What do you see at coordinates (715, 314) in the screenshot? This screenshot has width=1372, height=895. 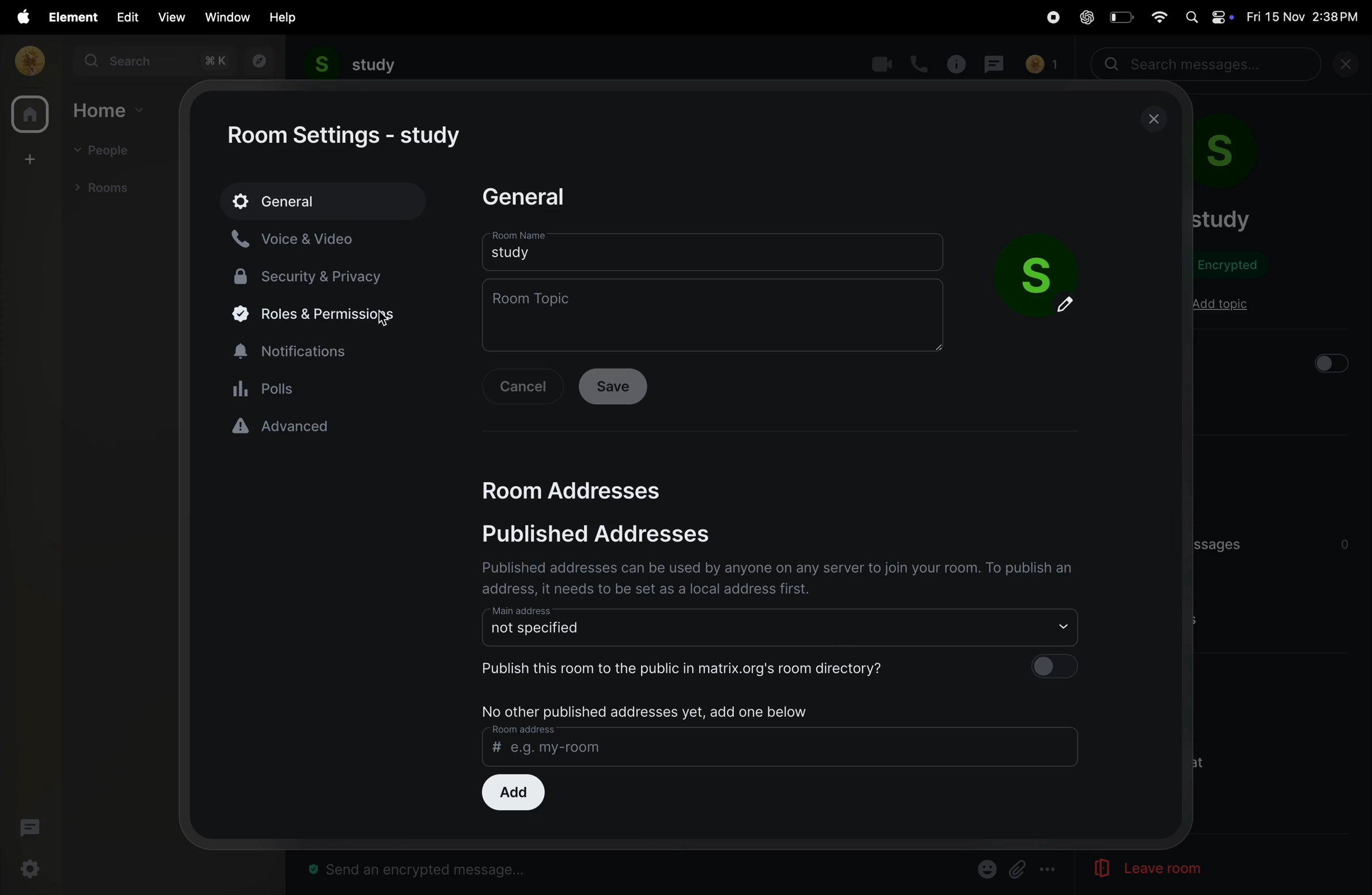 I see `room topic box` at bounding box center [715, 314].